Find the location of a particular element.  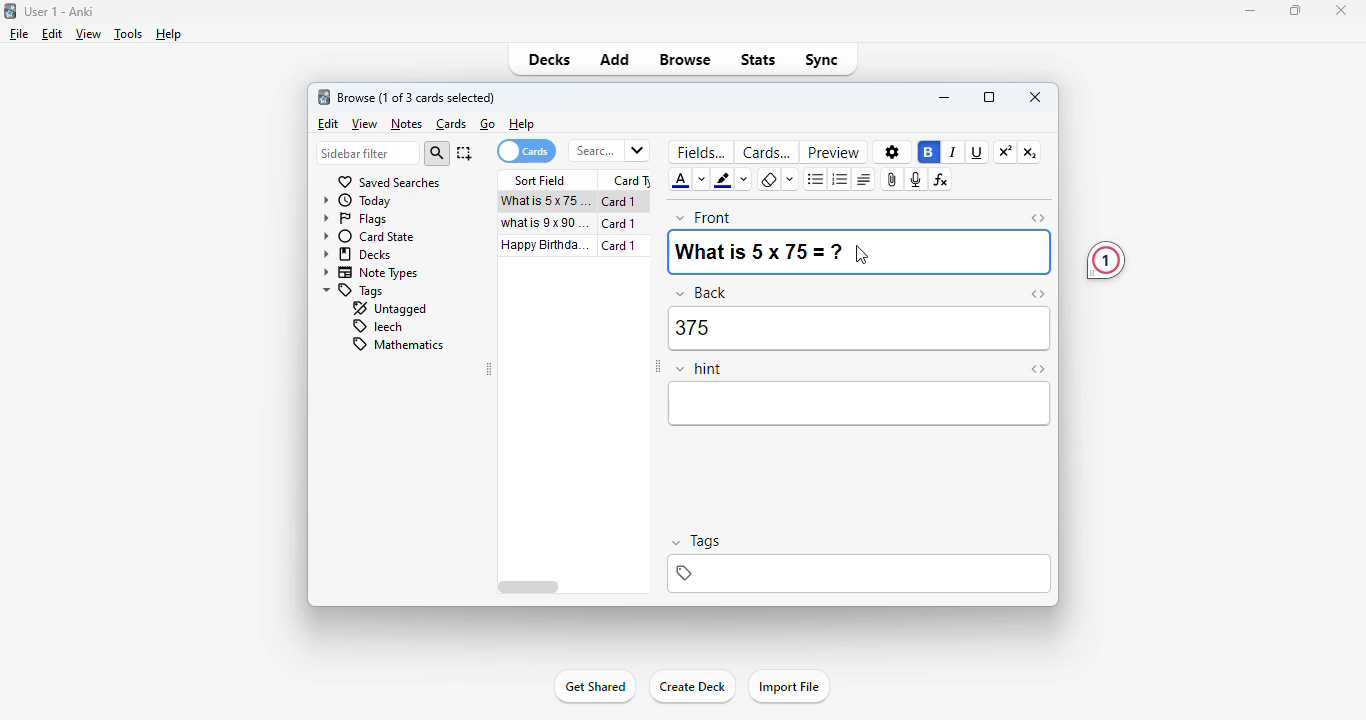

view is located at coordinates (90, 34).